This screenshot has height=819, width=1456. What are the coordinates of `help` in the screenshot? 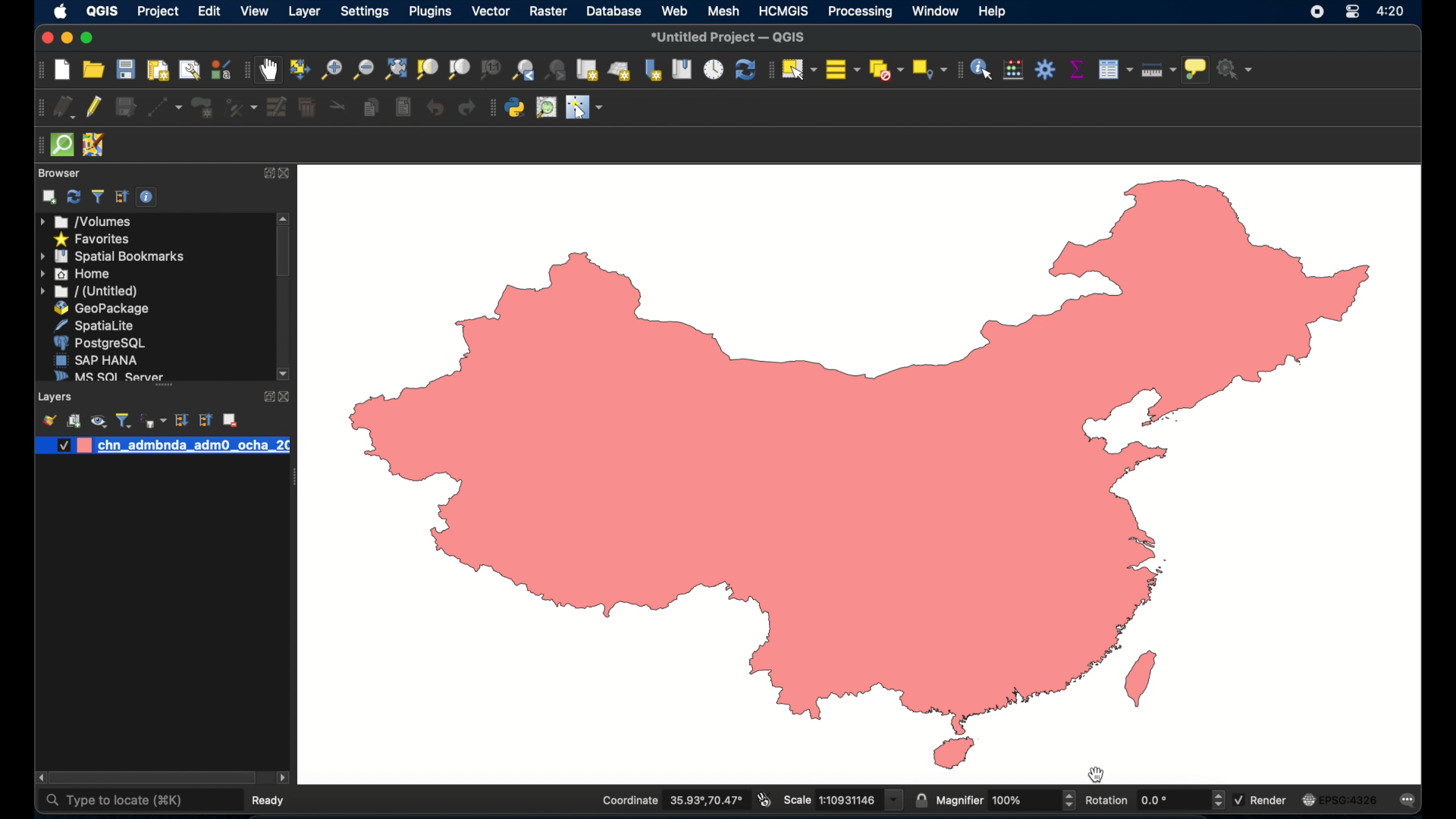 It's located at (994, 11).